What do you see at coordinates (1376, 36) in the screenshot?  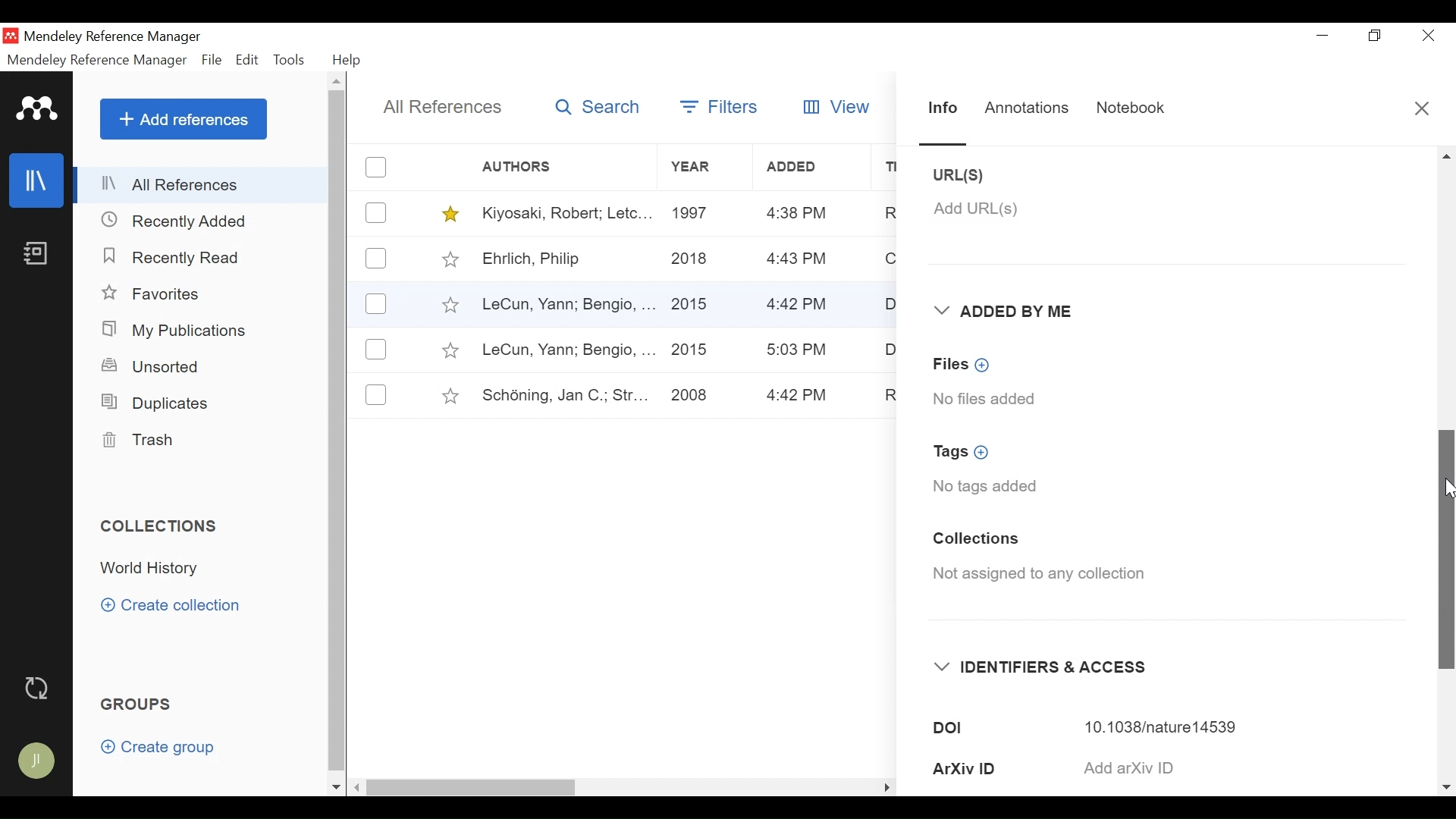 I see `Restore` at bounding box center [1376, 36].